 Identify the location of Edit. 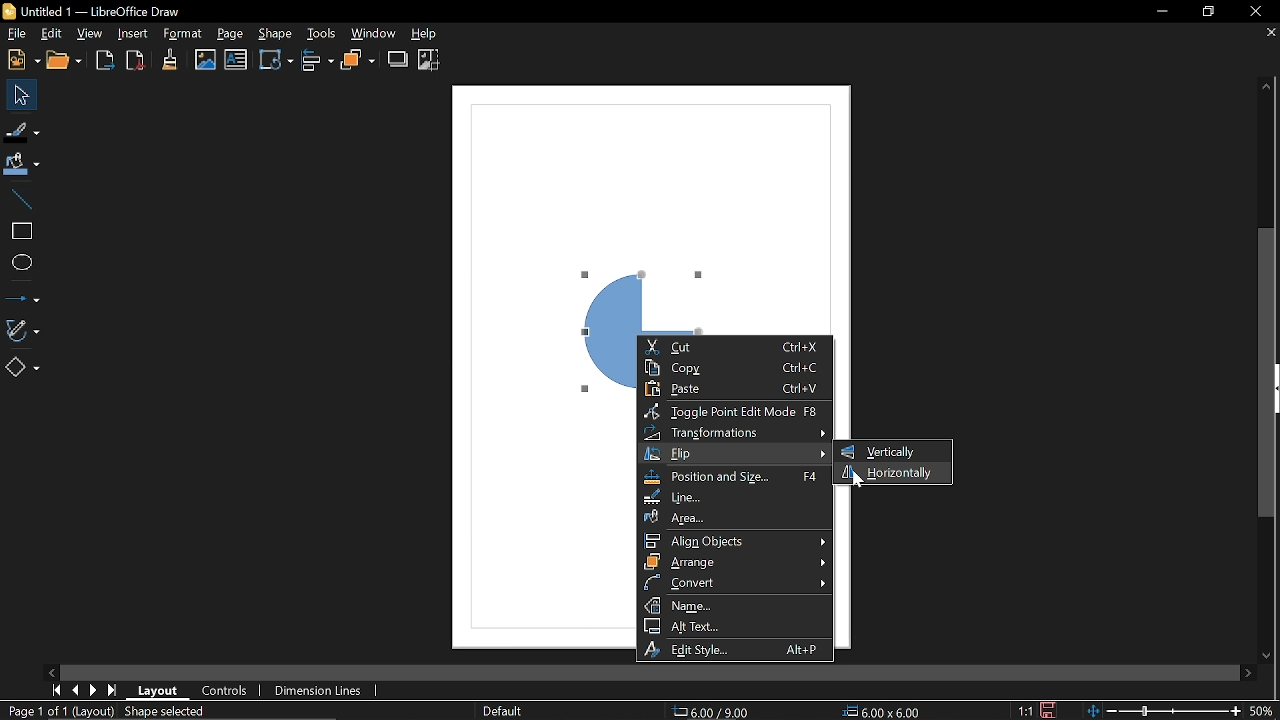
(51, 32).